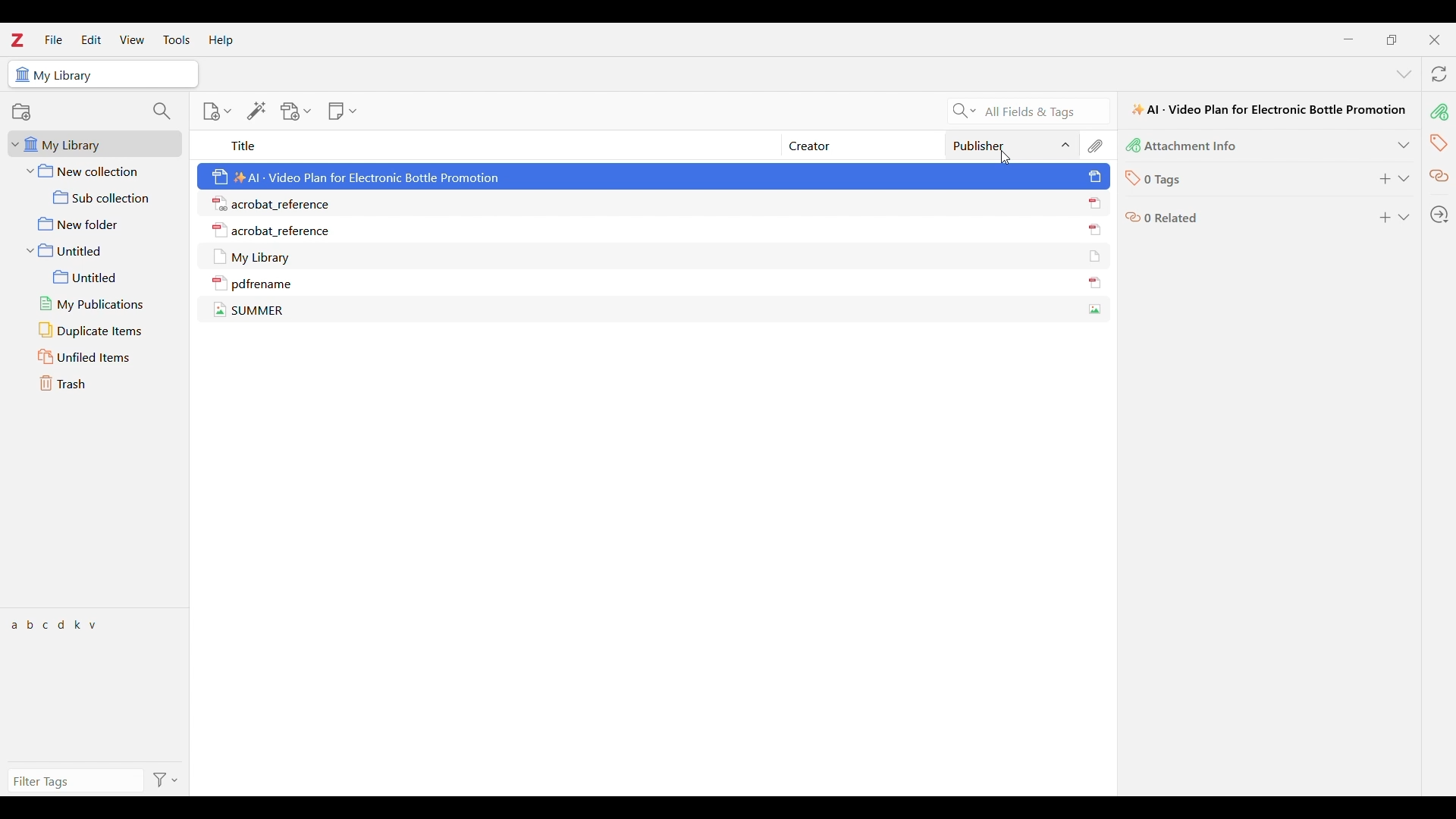 This screenshot has height=819, width=1456. Describe the element at coordinates (96, 170) in the screenshot. I see `New collection` at that location.